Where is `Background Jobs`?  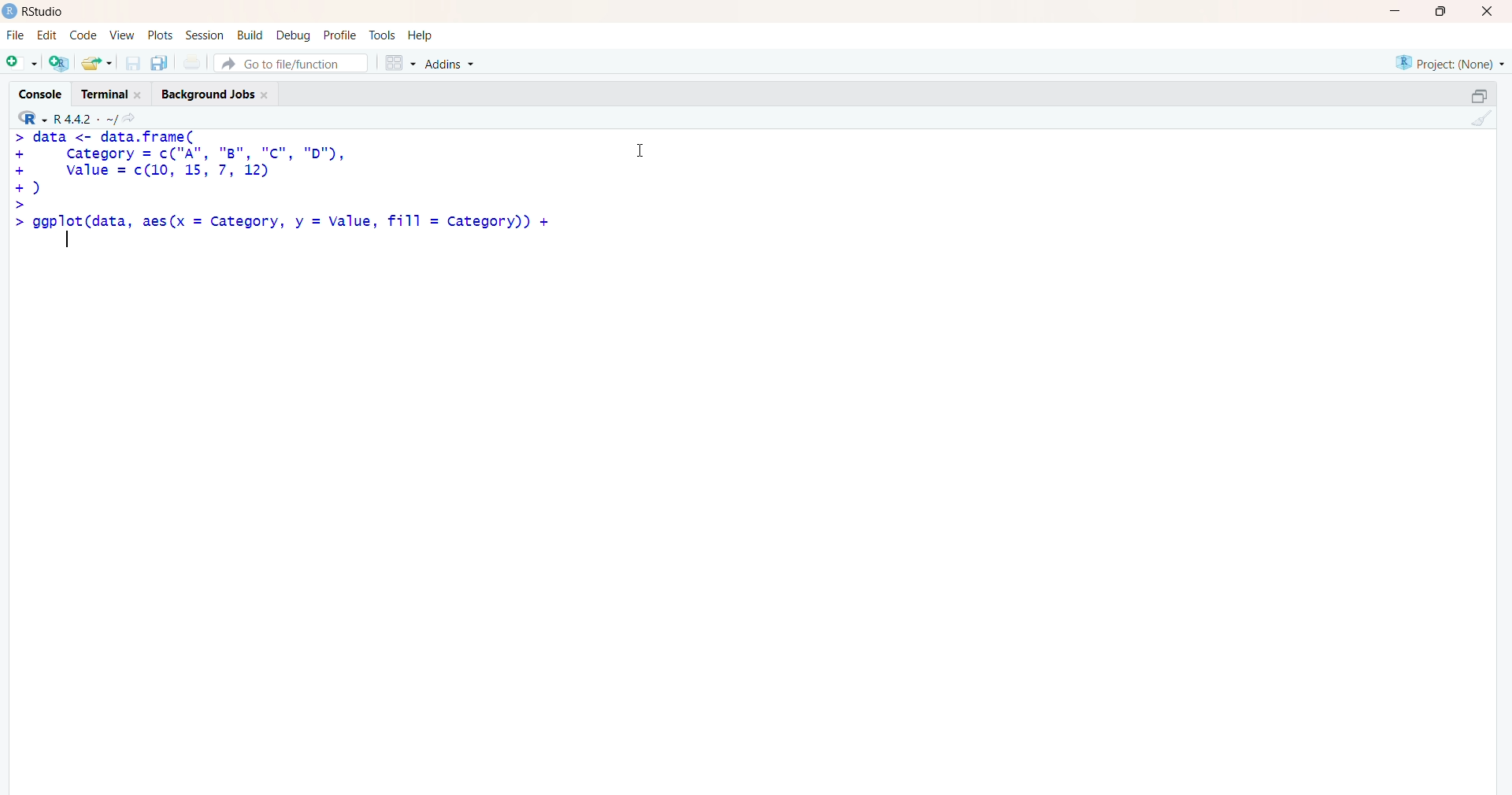 Background Jobs is located at coordinates (214, 91).